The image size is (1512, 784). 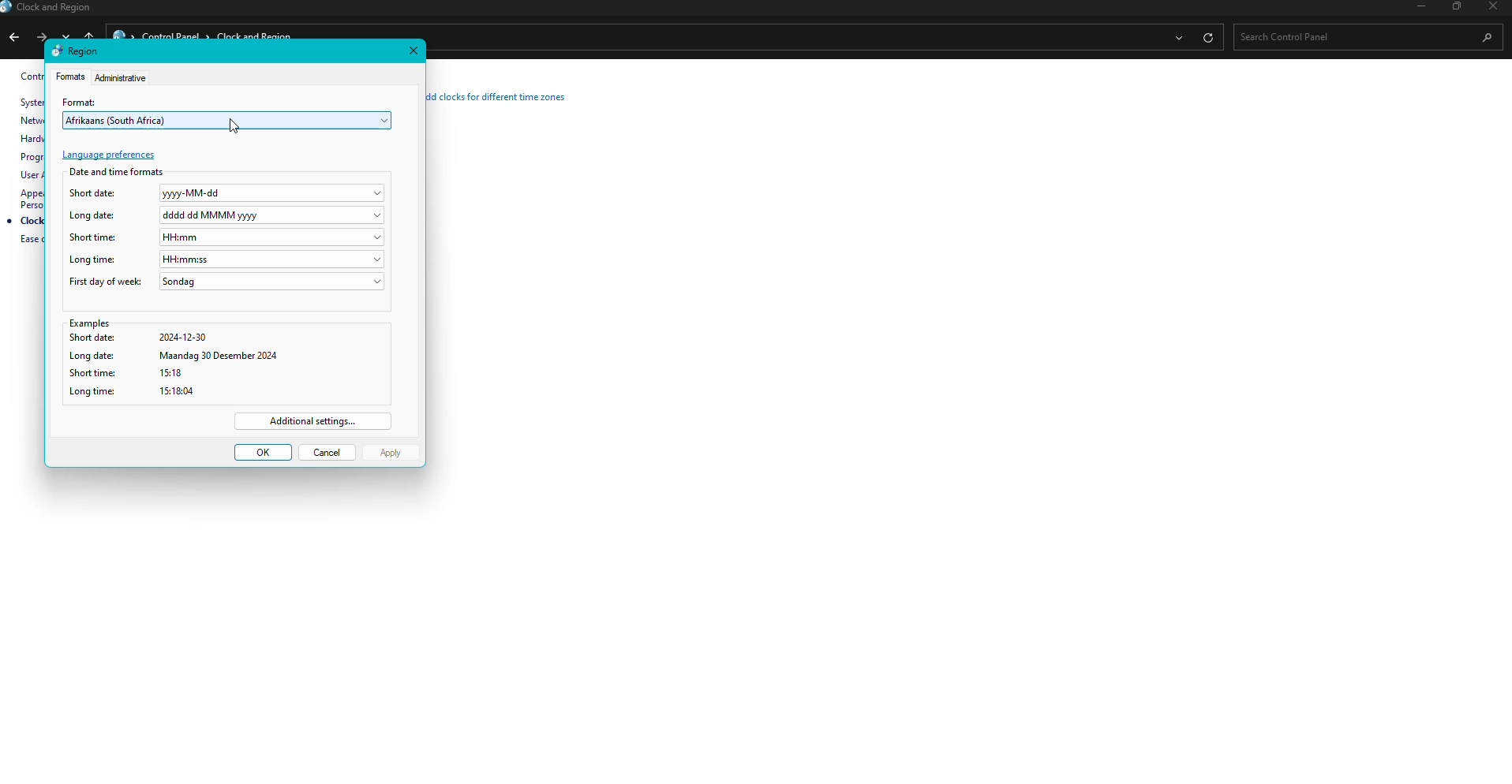 What do you see at coordinates (69, 34) in the screenshot?
I see `down` at bounding box center [69, 34].